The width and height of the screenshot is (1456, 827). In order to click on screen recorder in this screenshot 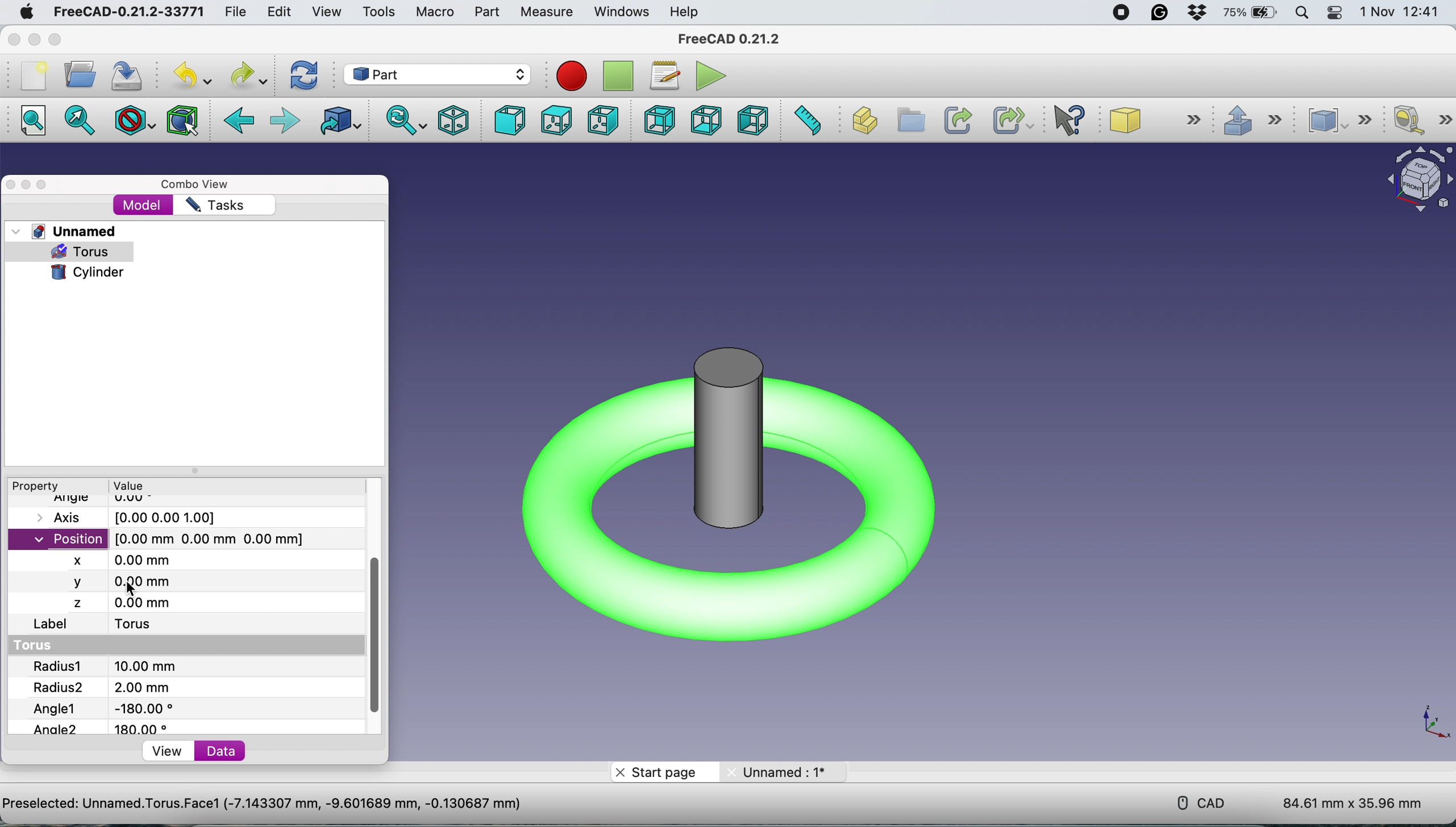, I will do `click(1121, 13)`.